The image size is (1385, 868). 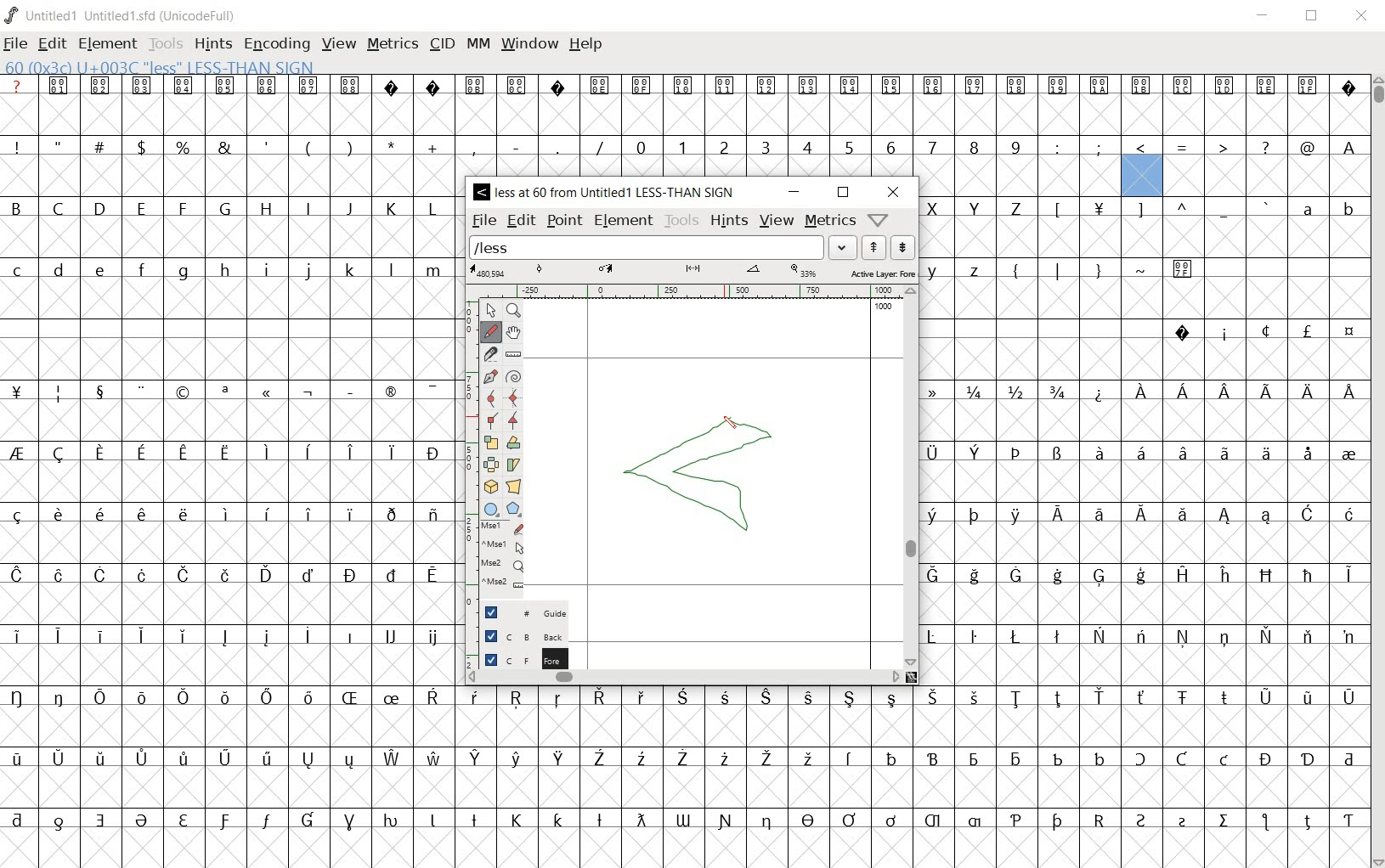 What do you see at coordinates (519, 221) in the screenshot?
I see `edit` at bounding box center [519, 221].